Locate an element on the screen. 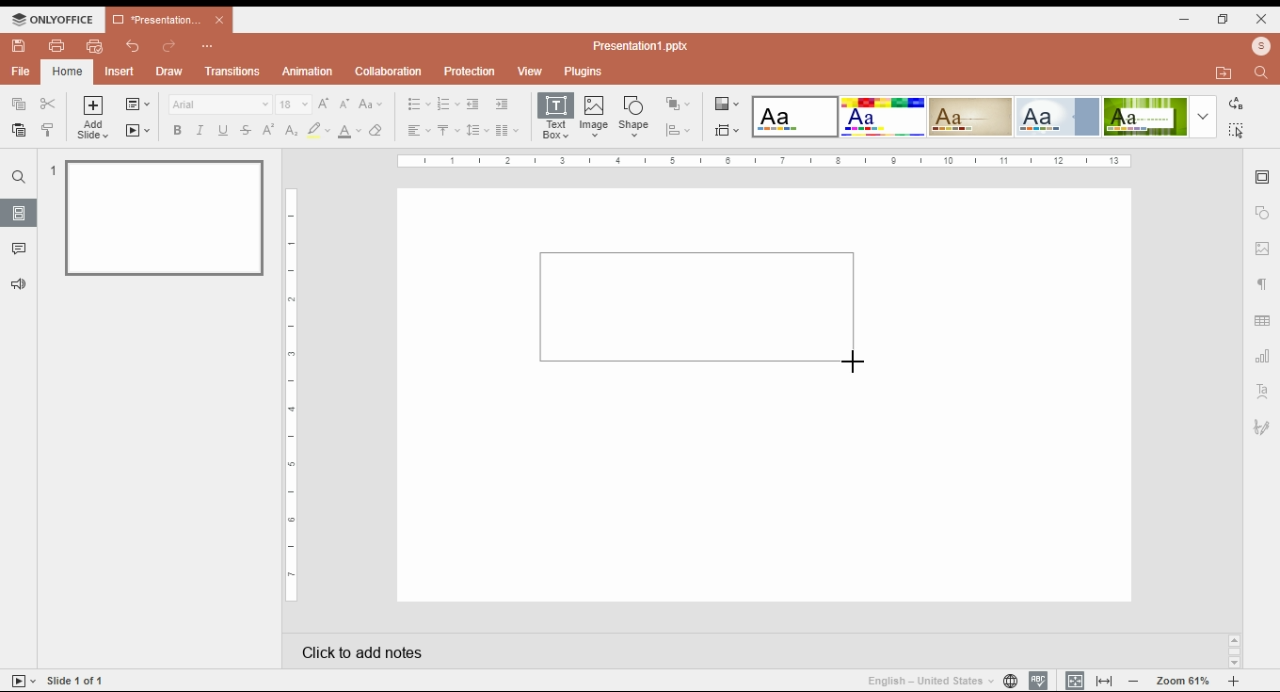 The image size is (1280, 692). zoom 61% is located at coordinates (1181, 681).